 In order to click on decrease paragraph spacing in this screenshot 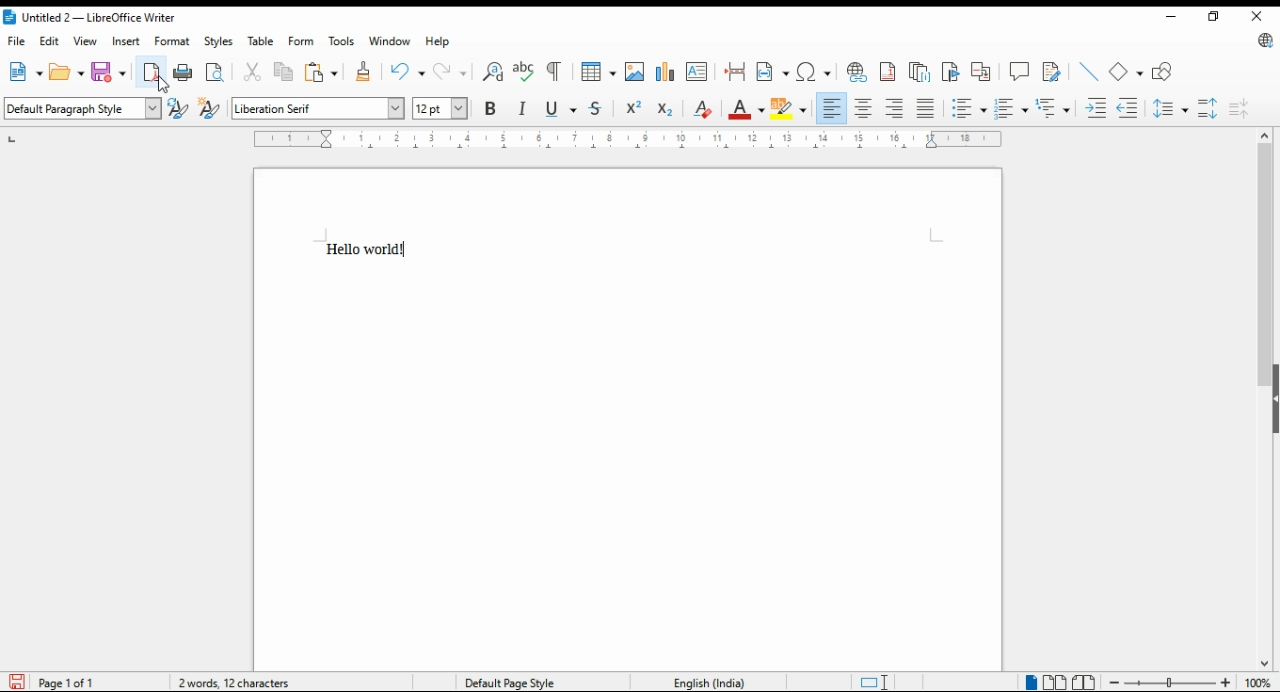, I will do `click(1242, 105)`.